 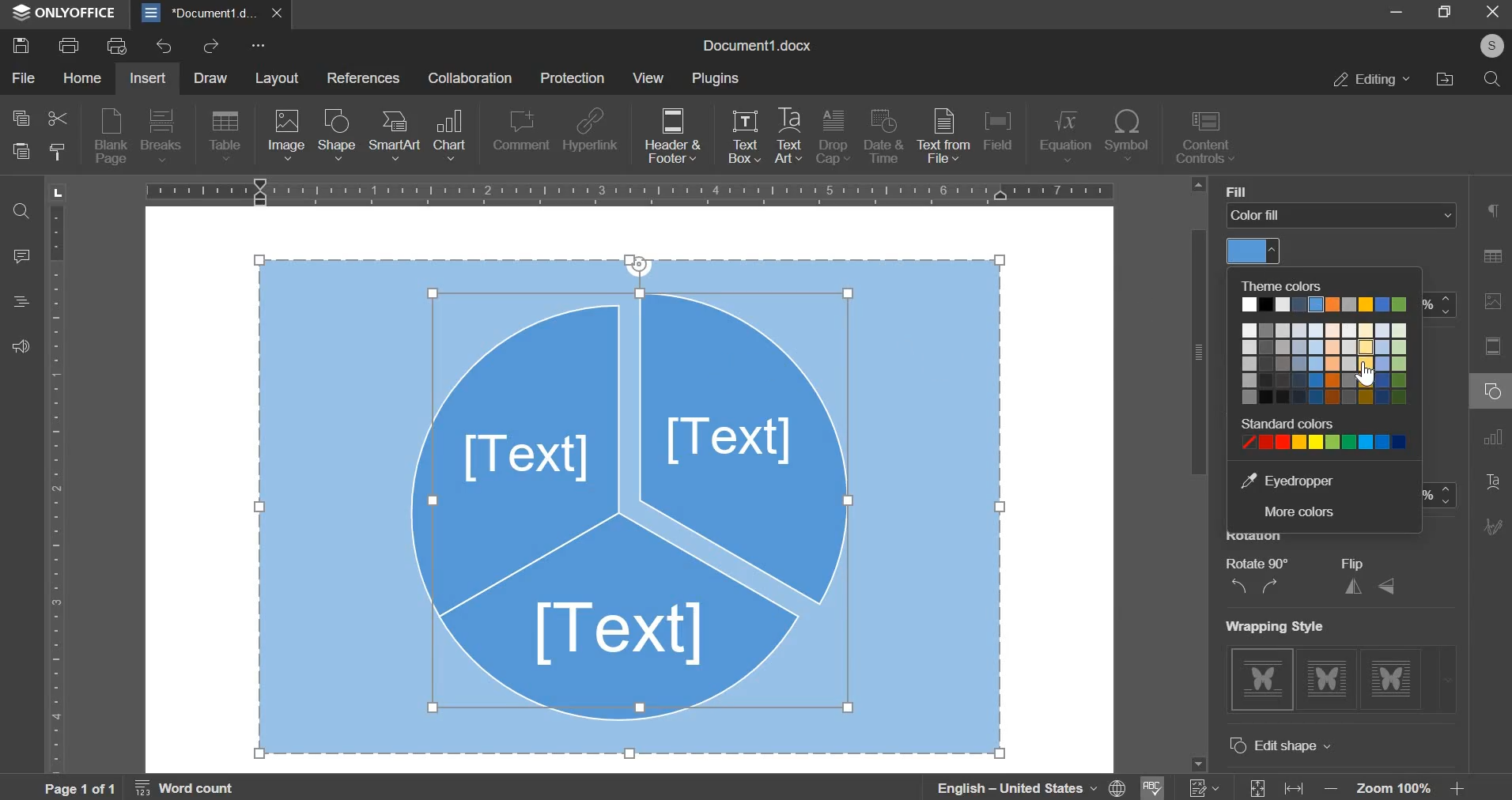 What do you see at coordinates (1369, 587) in the screenshot?
I see `flip` at bounding box center [1369, 587].